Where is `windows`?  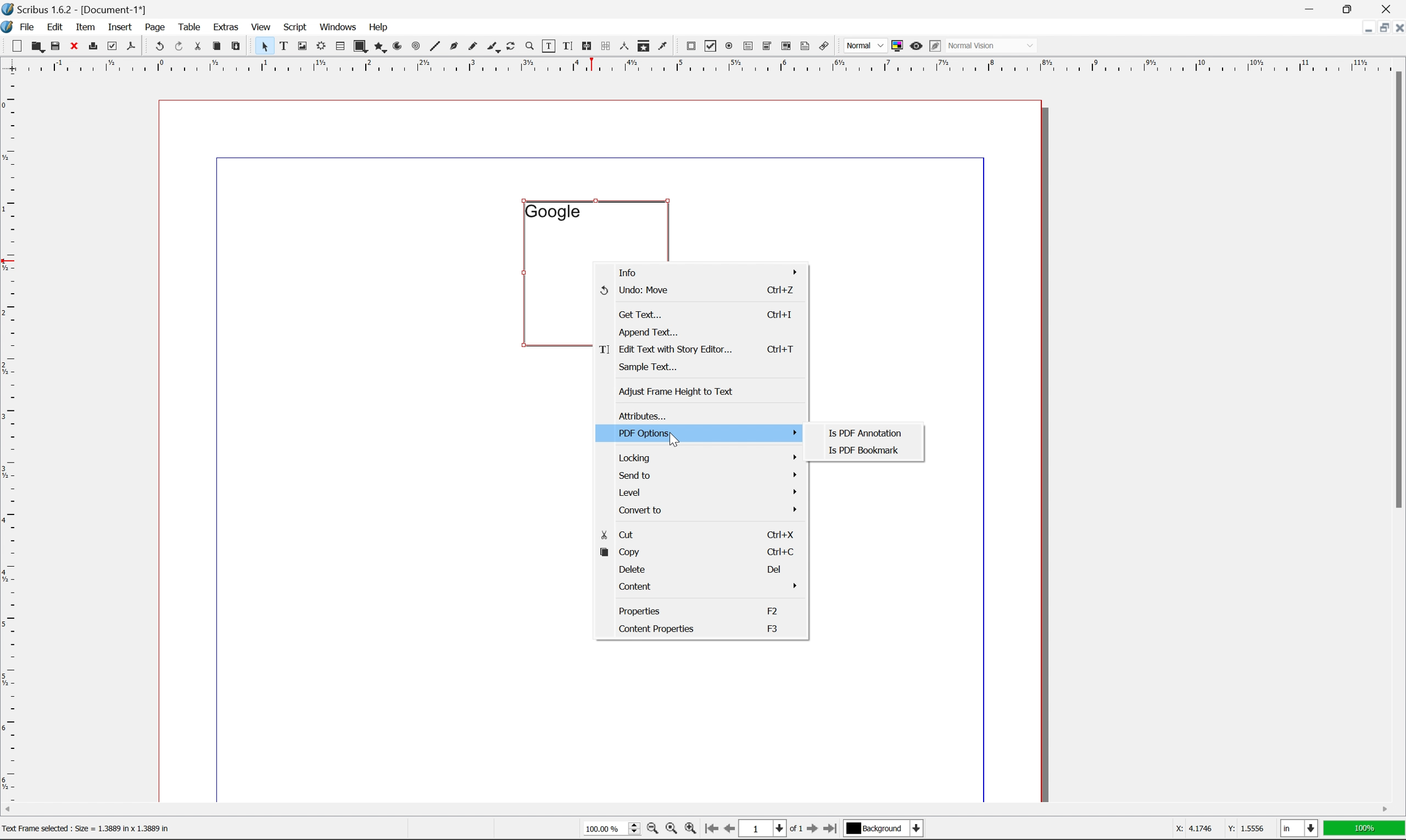
windows is located at coordinates (340, 26).